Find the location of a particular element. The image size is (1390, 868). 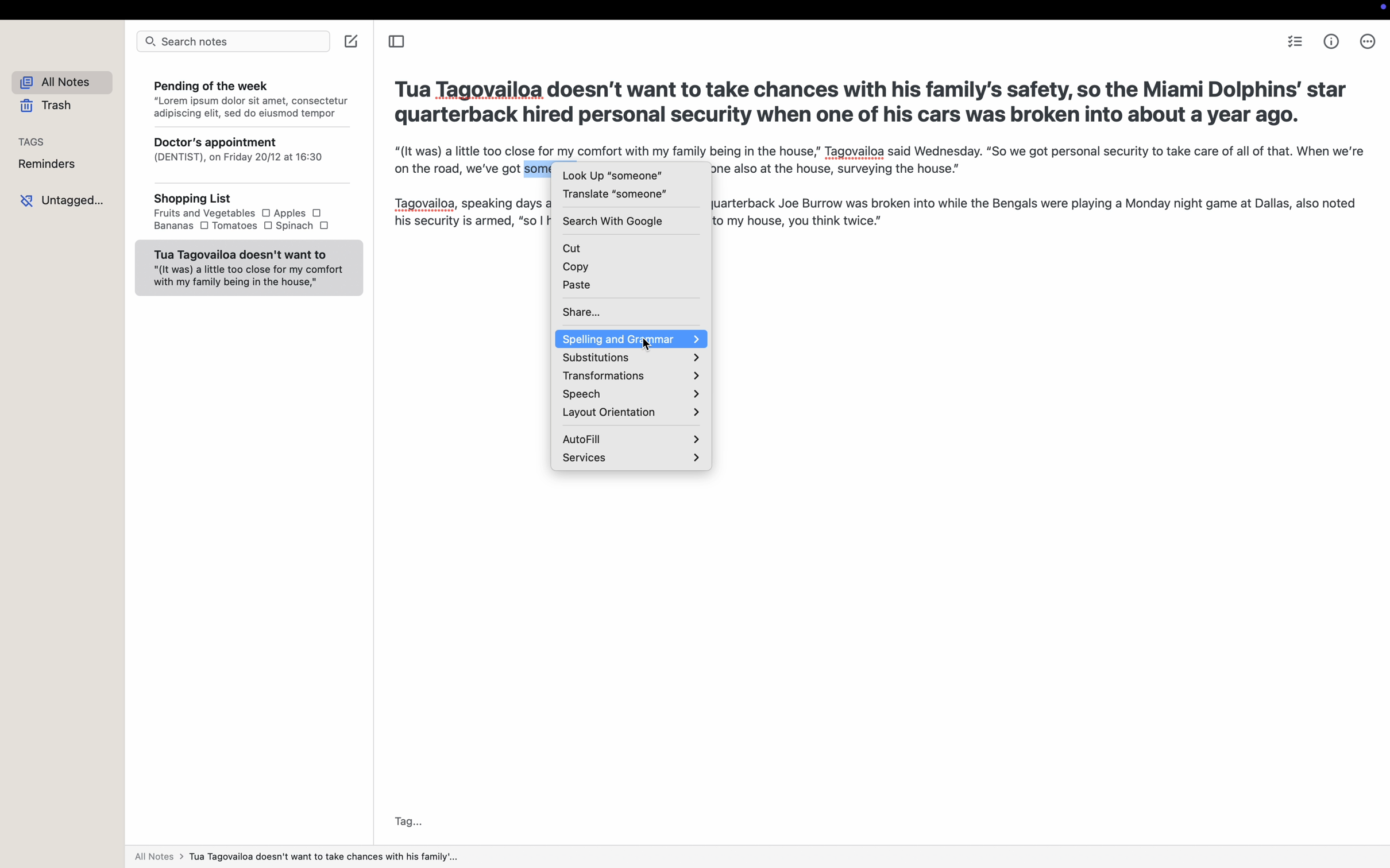

more options is located at coordinates (1366, 41).